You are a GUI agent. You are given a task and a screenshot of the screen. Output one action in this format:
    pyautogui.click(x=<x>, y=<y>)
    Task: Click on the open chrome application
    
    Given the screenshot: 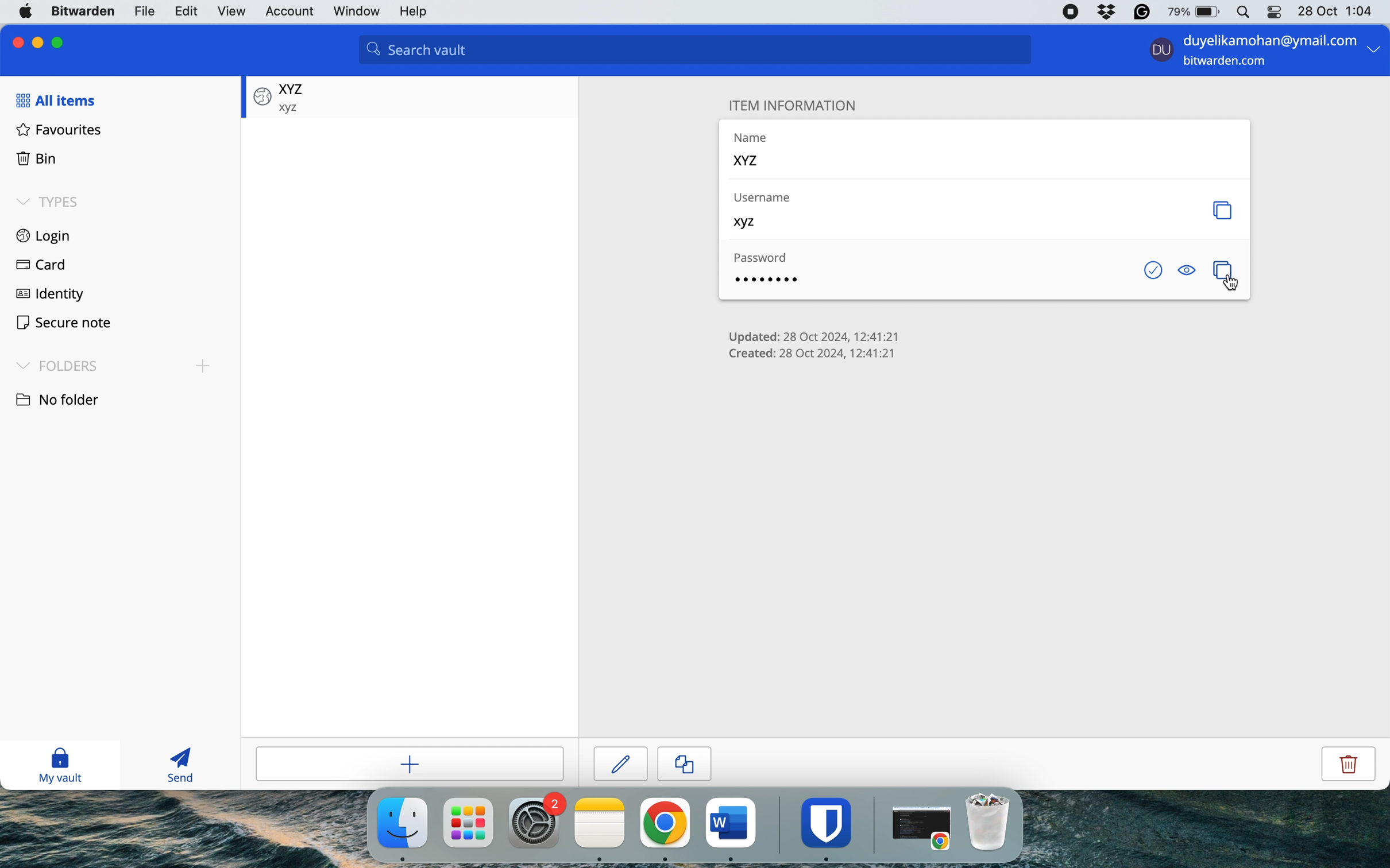 What is the action you would take?
    pyautogui.click(x=925, y=828)
    